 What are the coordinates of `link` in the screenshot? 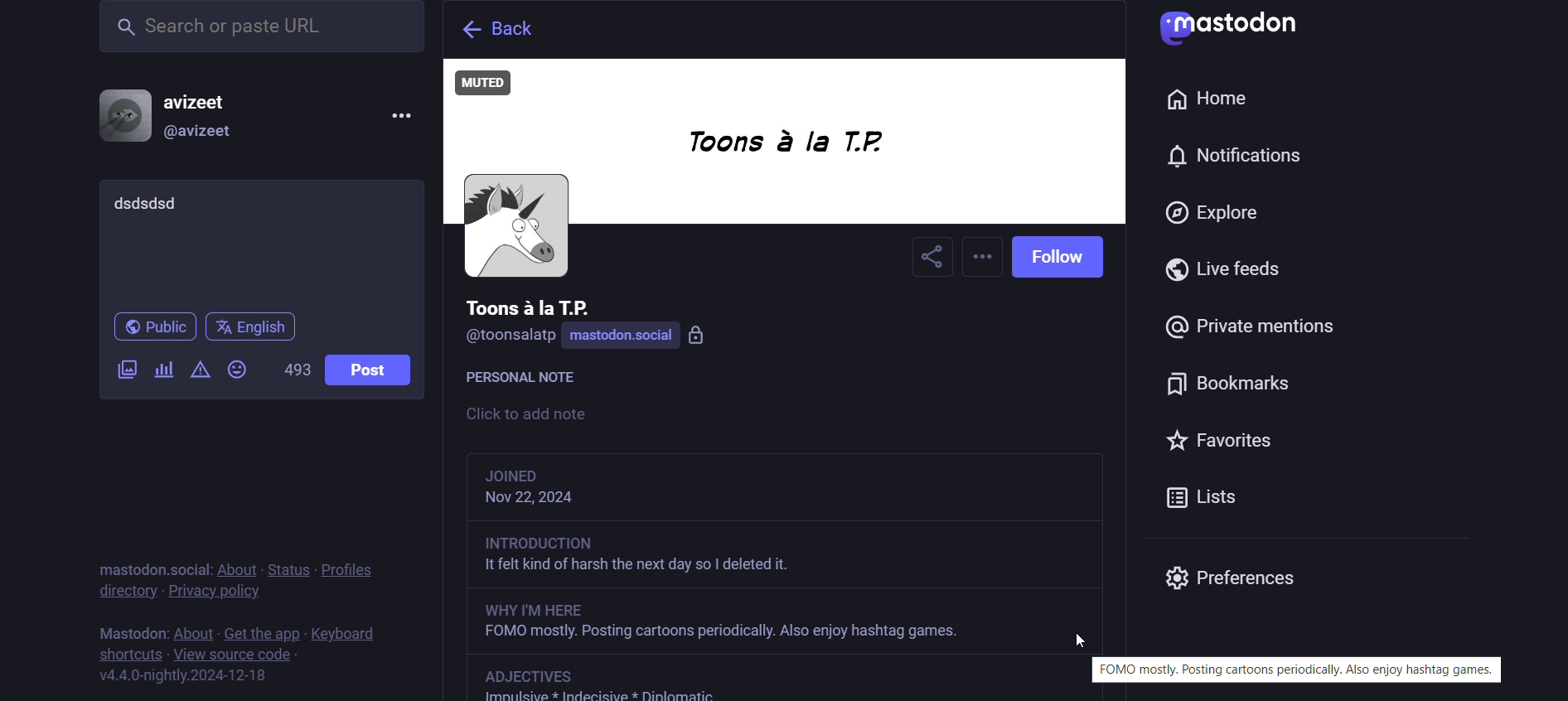 It's located at (536, 675).